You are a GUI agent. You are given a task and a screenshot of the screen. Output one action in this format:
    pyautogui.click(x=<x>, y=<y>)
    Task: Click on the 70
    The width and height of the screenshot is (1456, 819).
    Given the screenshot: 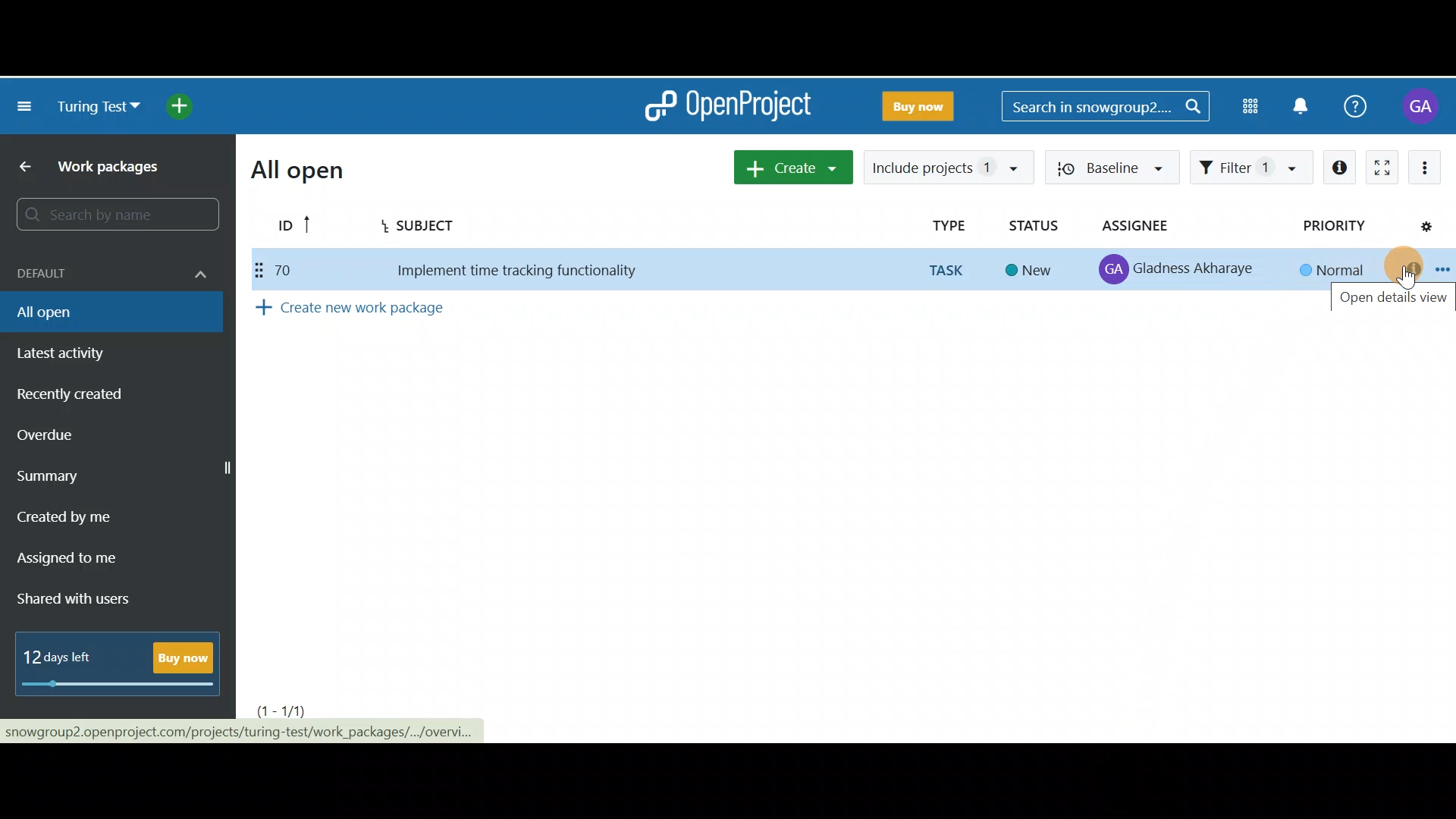 What is the action you would take?
    pyautogui.click(x=287, y=268)
    